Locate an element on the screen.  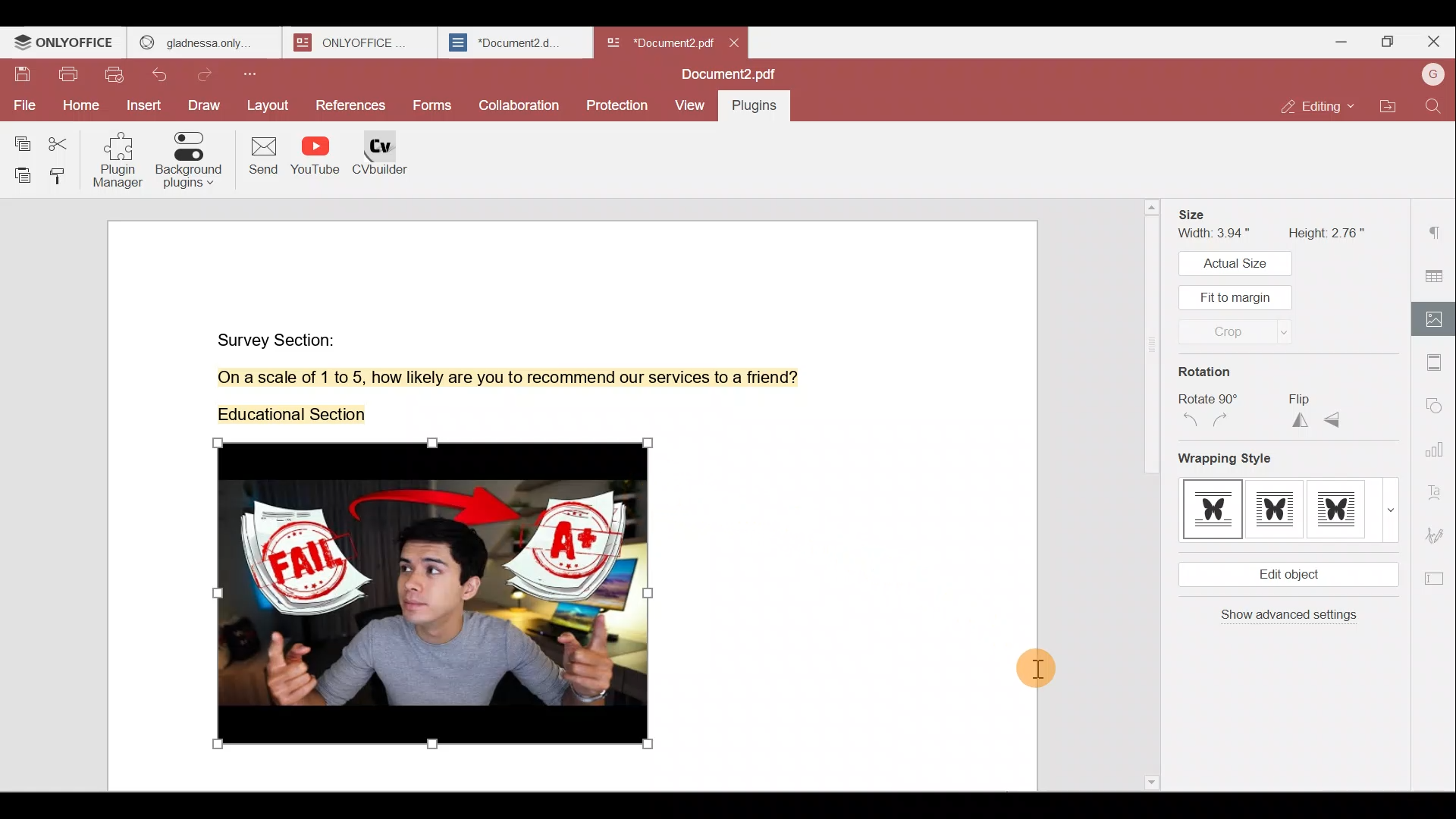
Minimize is located at coordinates (1337, 40).